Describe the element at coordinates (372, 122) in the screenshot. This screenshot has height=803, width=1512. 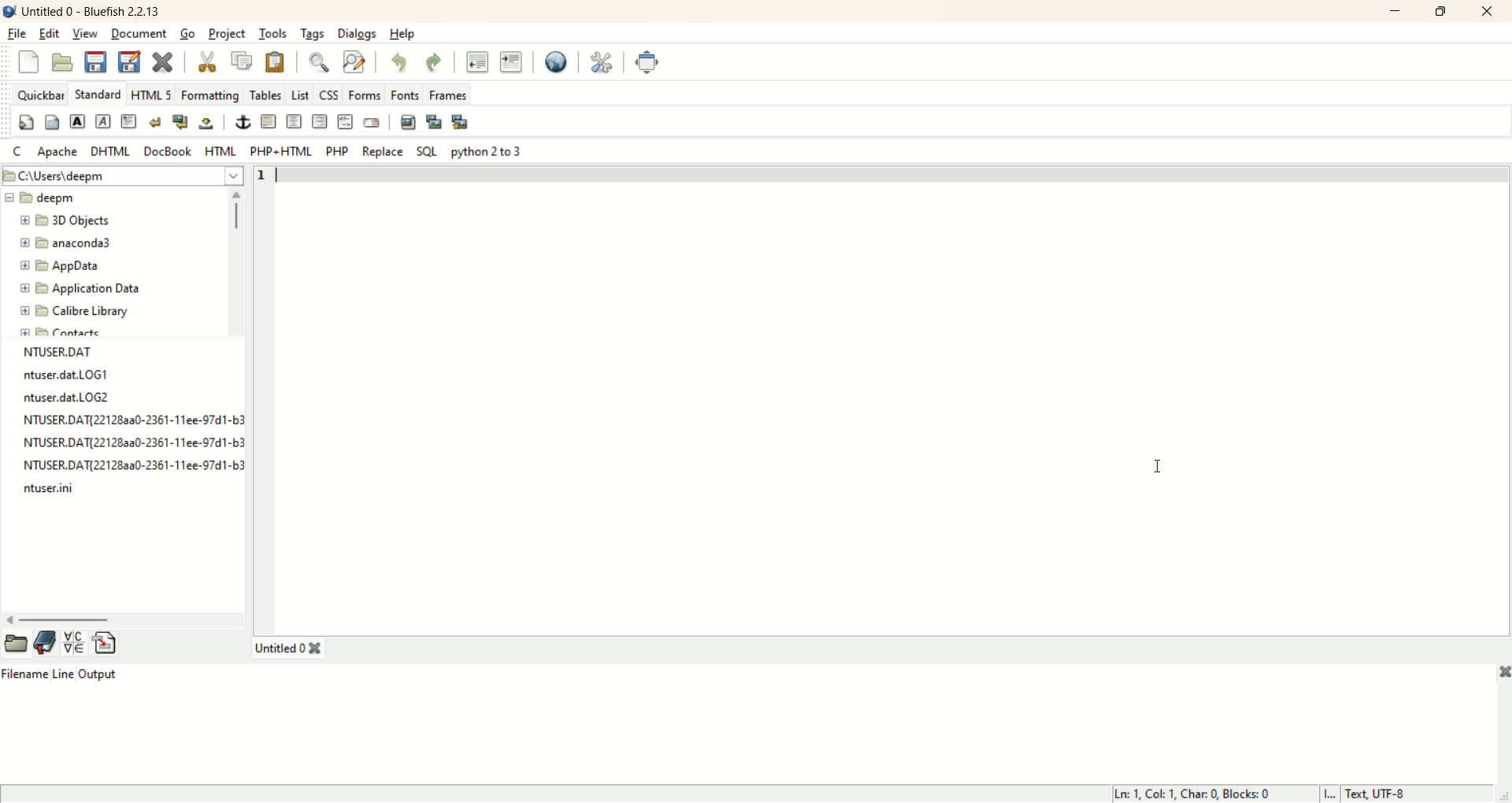
I see `email` at that location.